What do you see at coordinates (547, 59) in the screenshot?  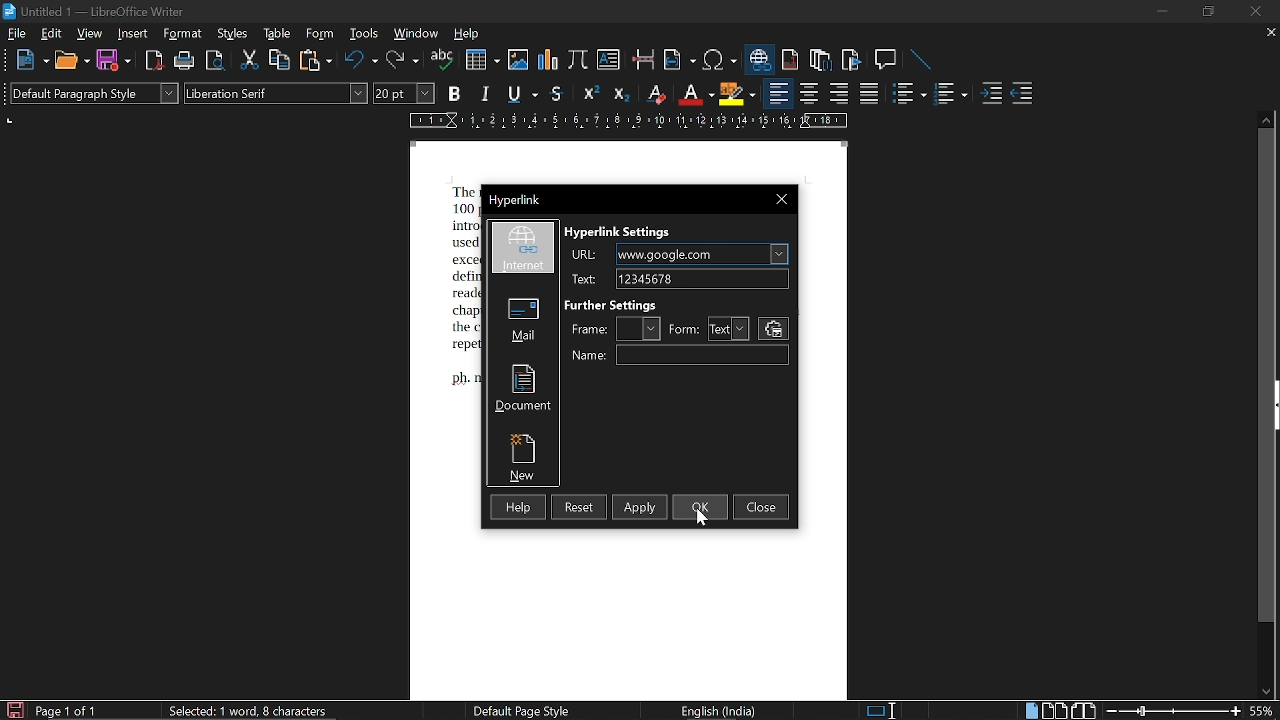 I see `insert chart` at bounding box center [547, 59].